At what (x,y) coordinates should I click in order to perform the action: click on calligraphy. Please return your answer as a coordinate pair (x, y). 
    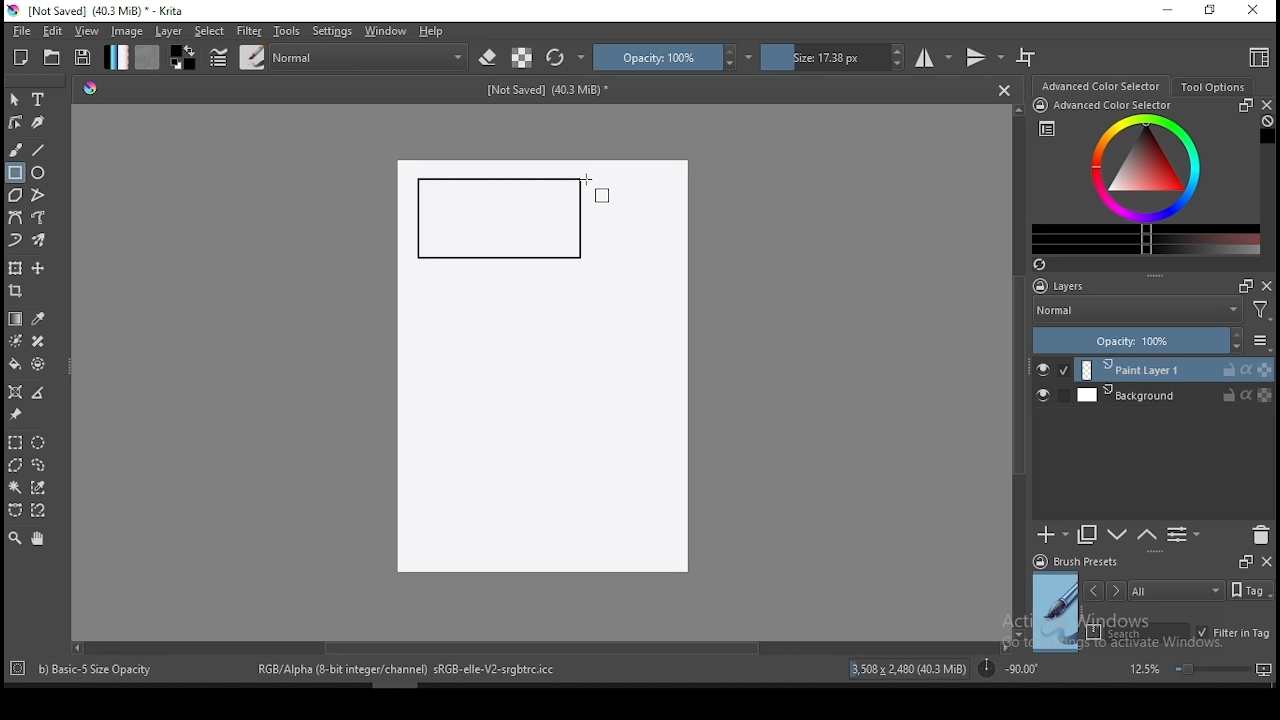
    Looking at the image, I should click on (39, 121).